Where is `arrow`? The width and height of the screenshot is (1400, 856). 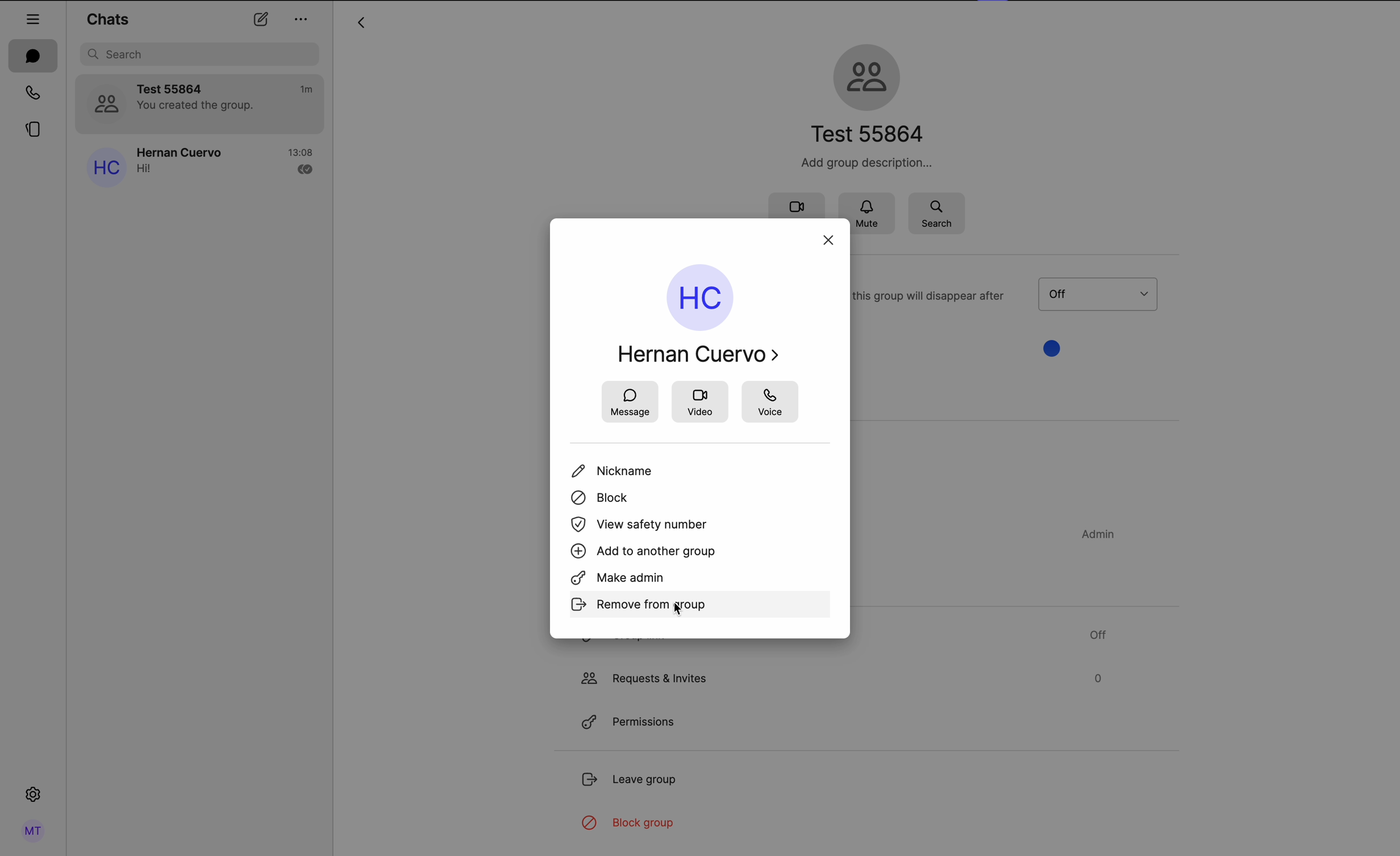 arrow is located at coordinates (360, 24).